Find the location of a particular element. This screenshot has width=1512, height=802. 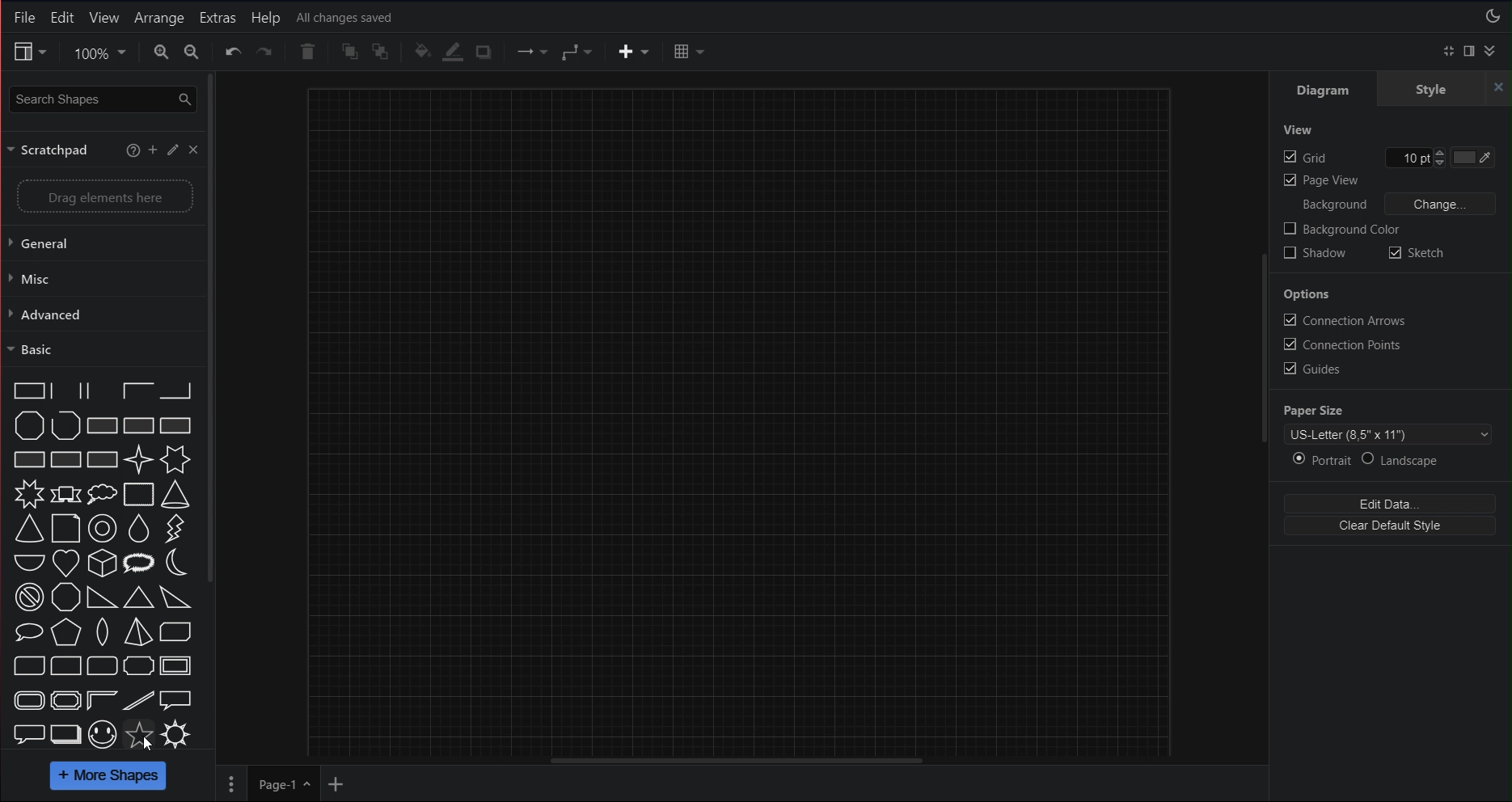

cloud callout is located at coordinates (101, 494).